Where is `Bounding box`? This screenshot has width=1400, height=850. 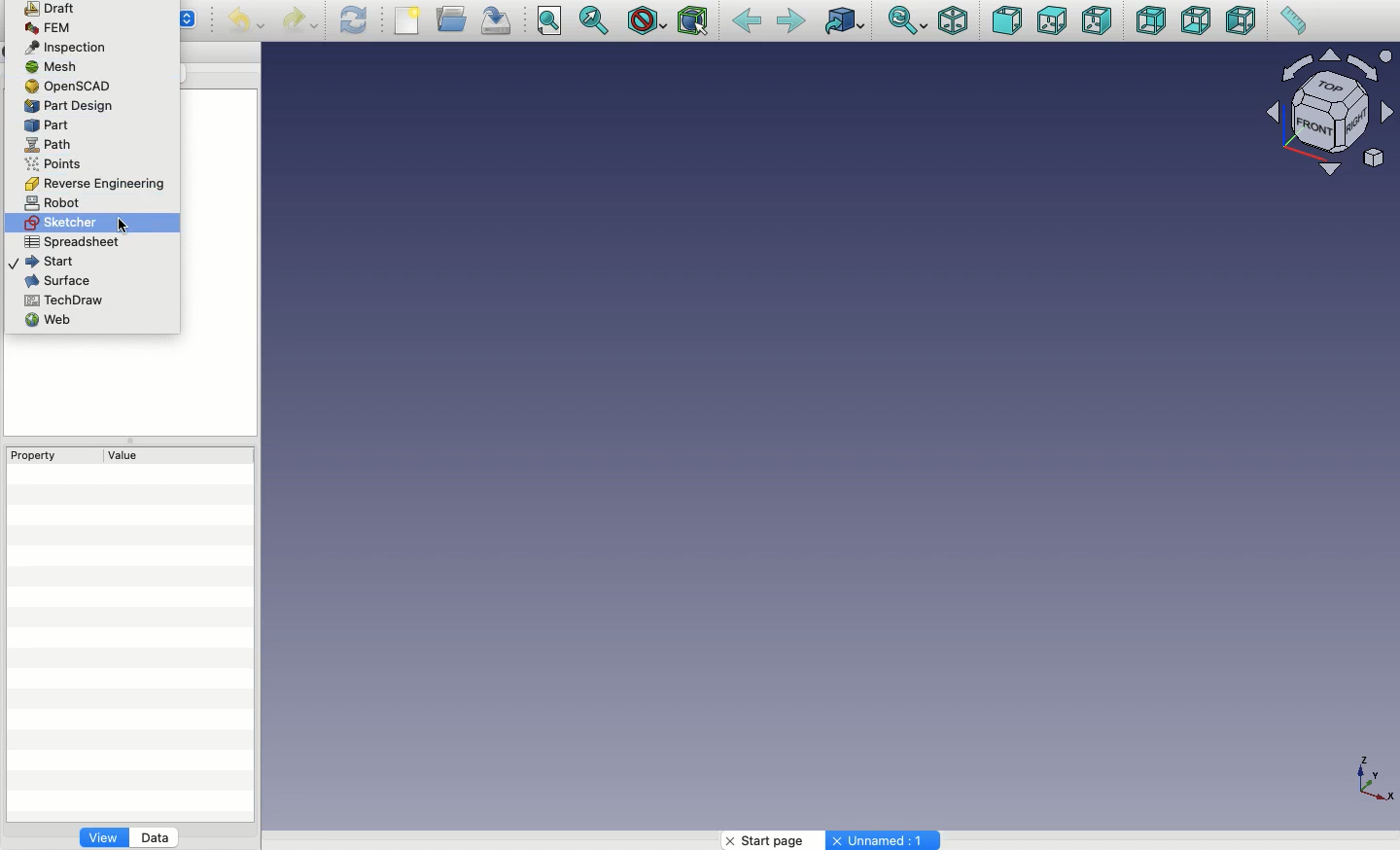 Bounding box is located at coordinates (695, 22).